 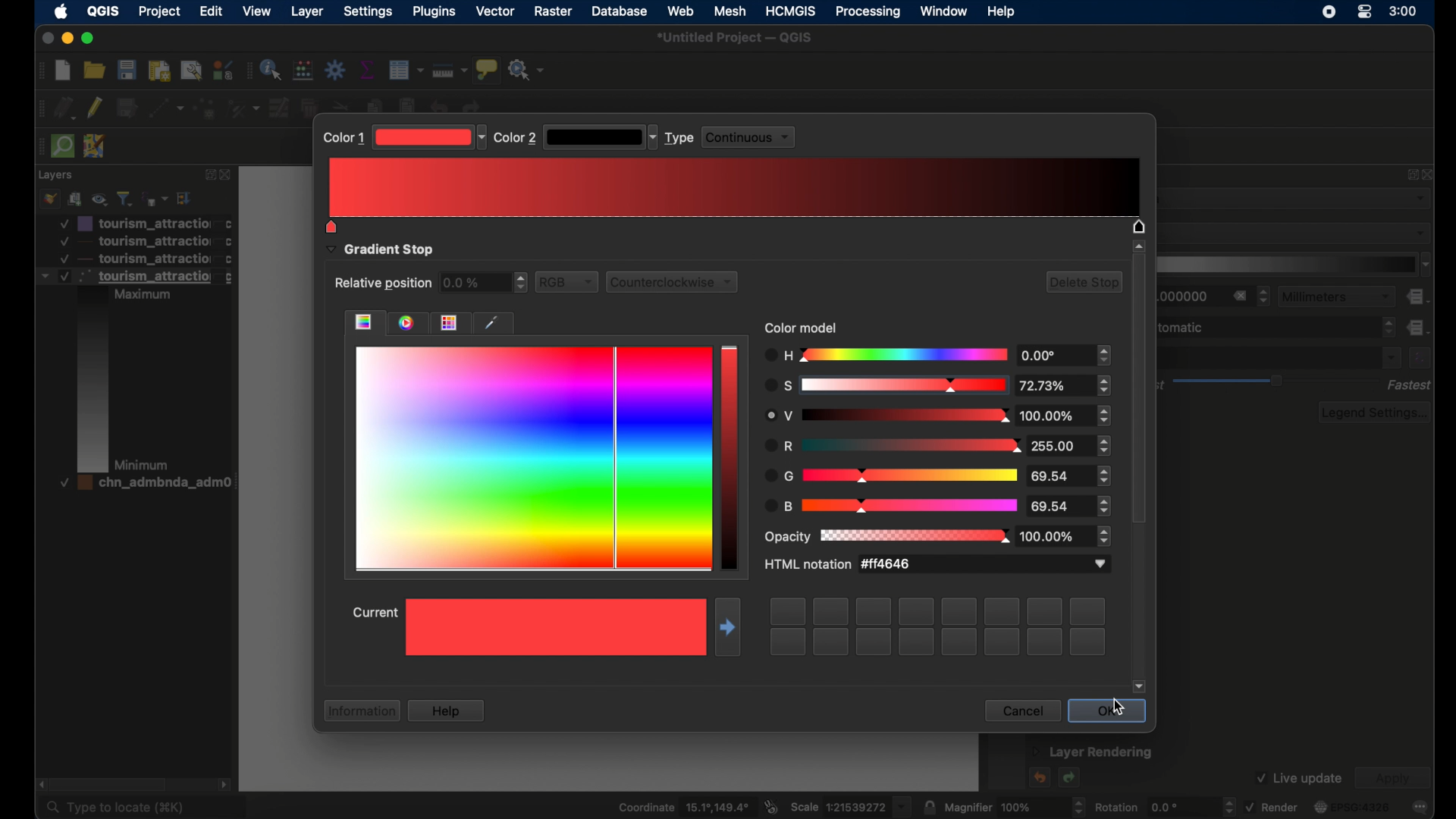 What do you see at coordinates (1064, 415) in the screenshot?
I see `stepper buttons` at bounding box center [1064, 415].